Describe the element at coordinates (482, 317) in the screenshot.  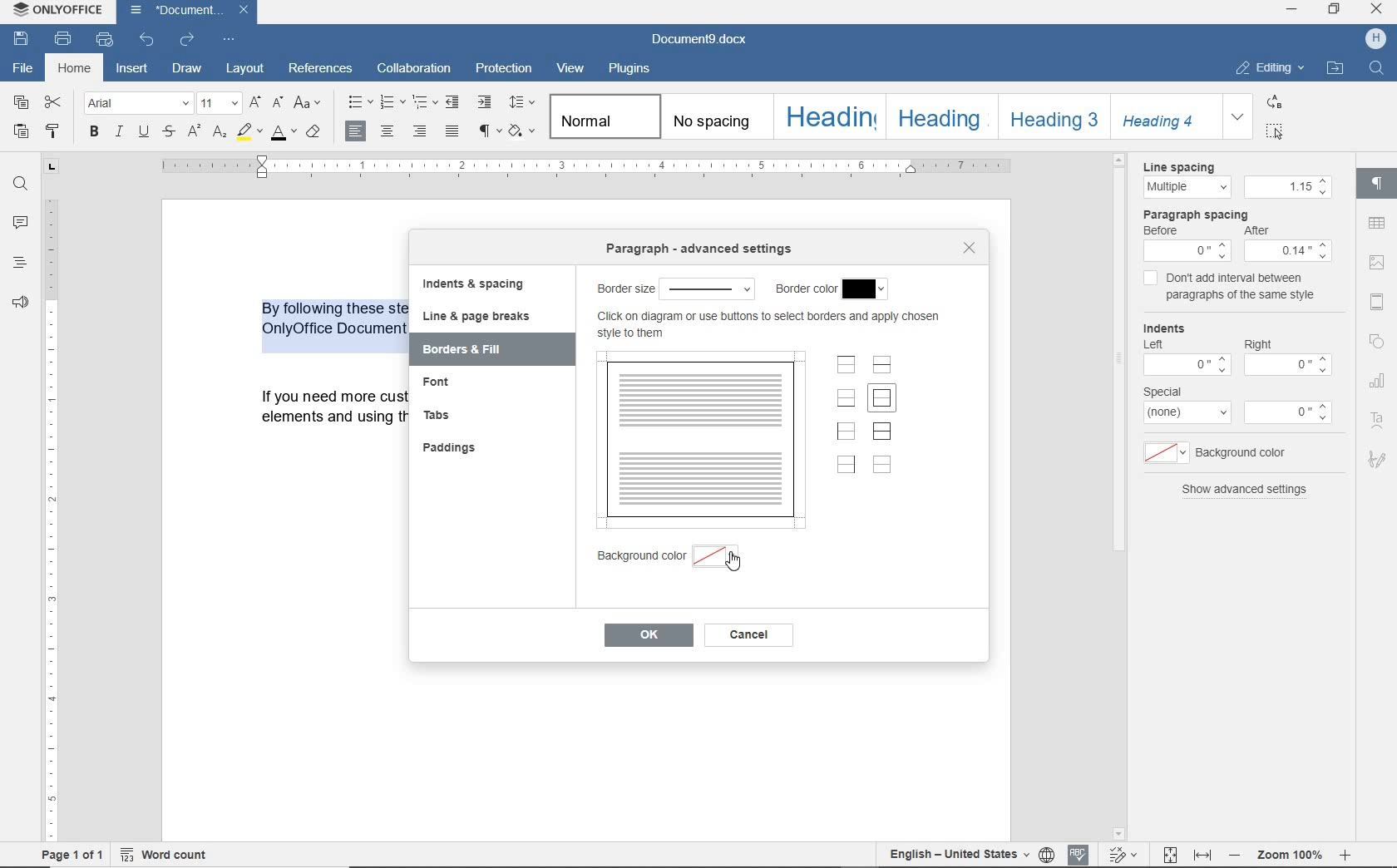
I see `line & page breaks` at that location.